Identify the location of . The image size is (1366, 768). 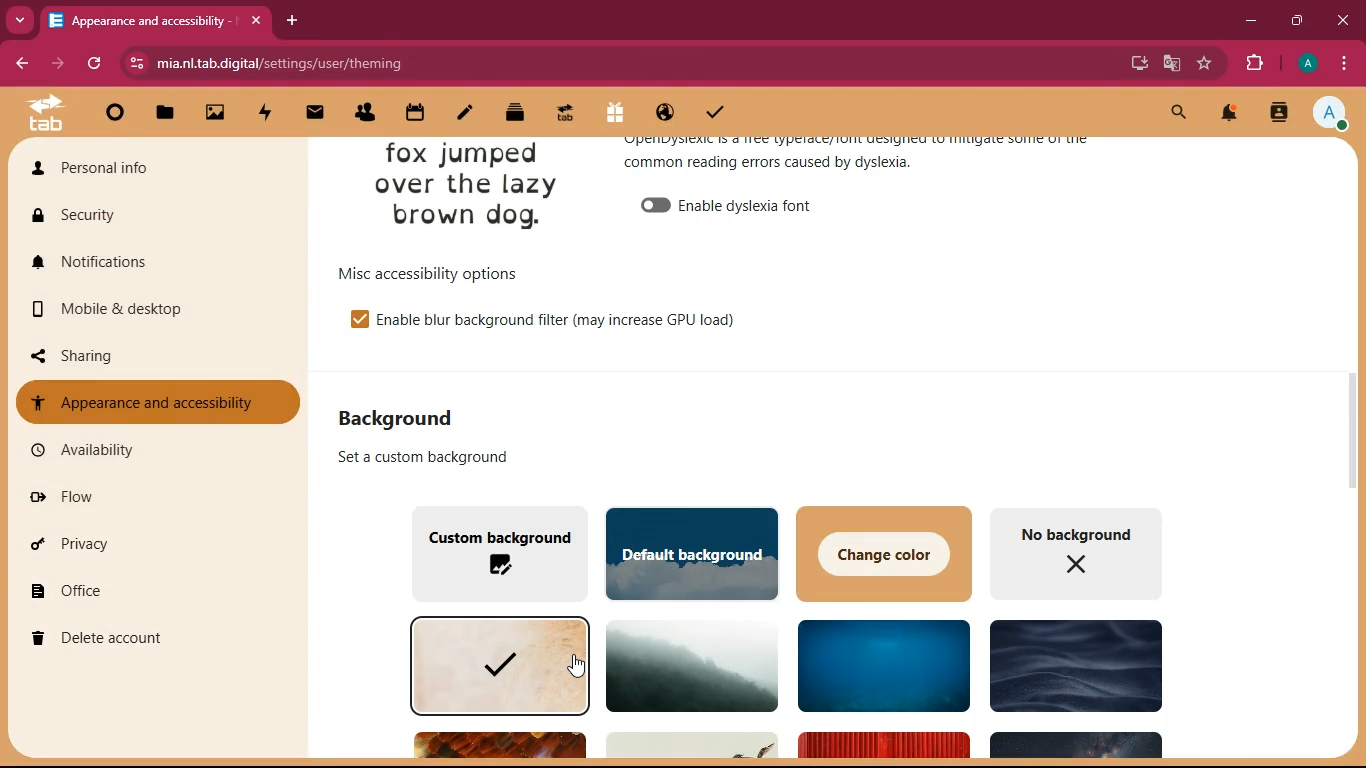
(881, 747).